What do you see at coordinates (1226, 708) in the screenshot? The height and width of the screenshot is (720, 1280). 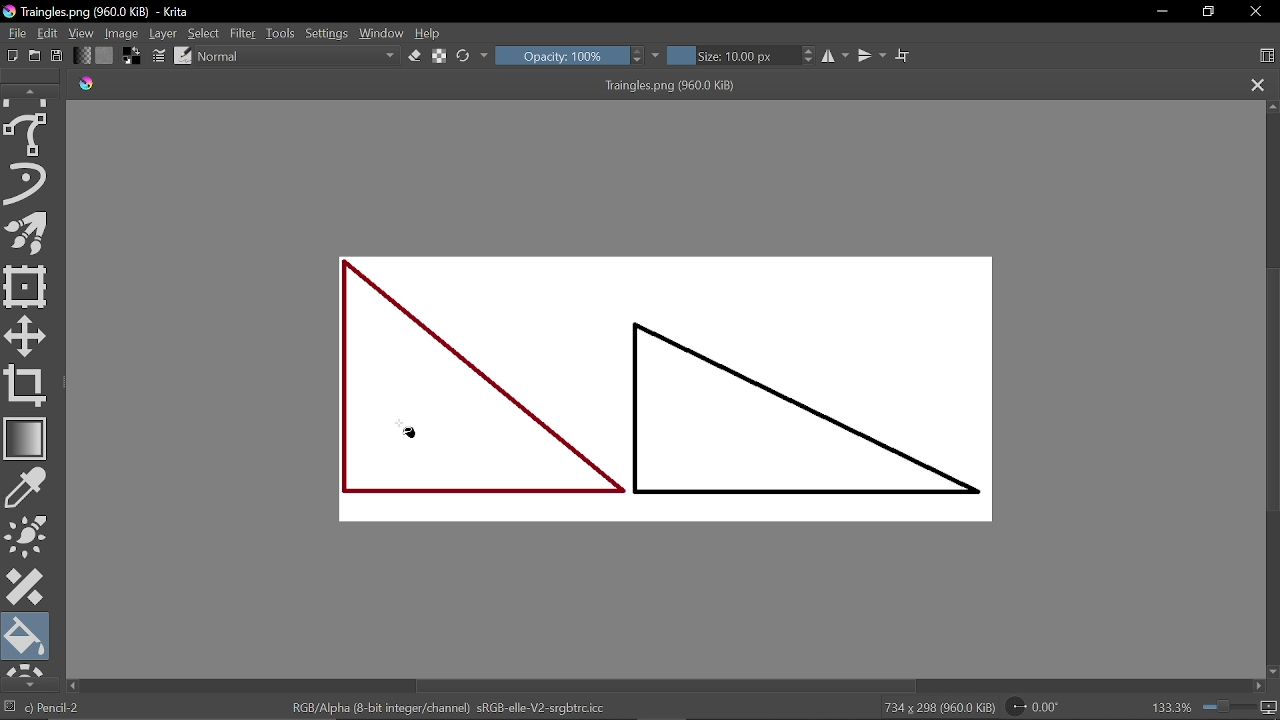 I see `Zoom` at bounding box center [1226, 708].